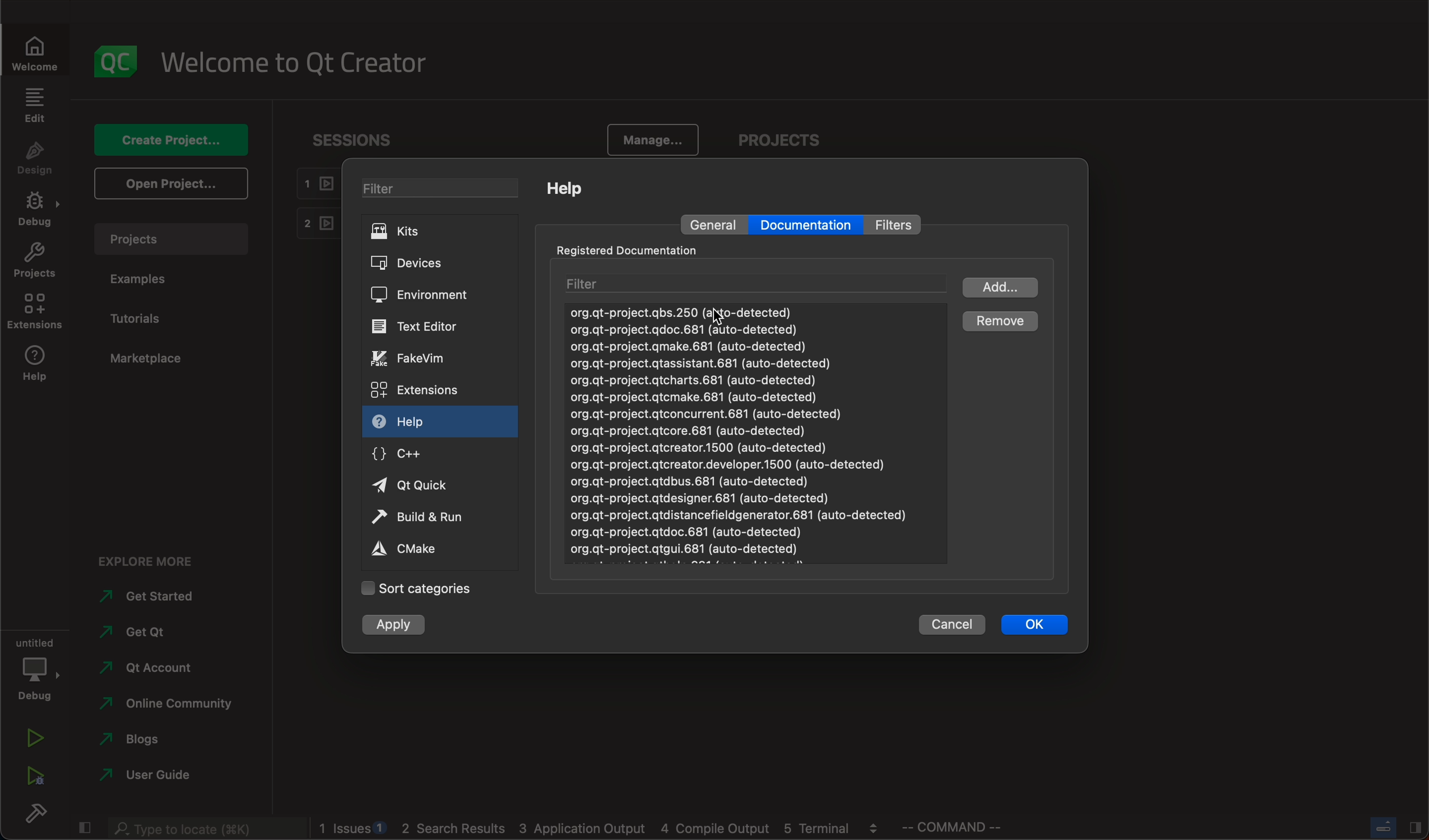 The height and width of the screenshot is (840, 1429). What do you see at coordinates (160, 564) in the screenshot?
I see `explore` at bounding box center [160, 564].